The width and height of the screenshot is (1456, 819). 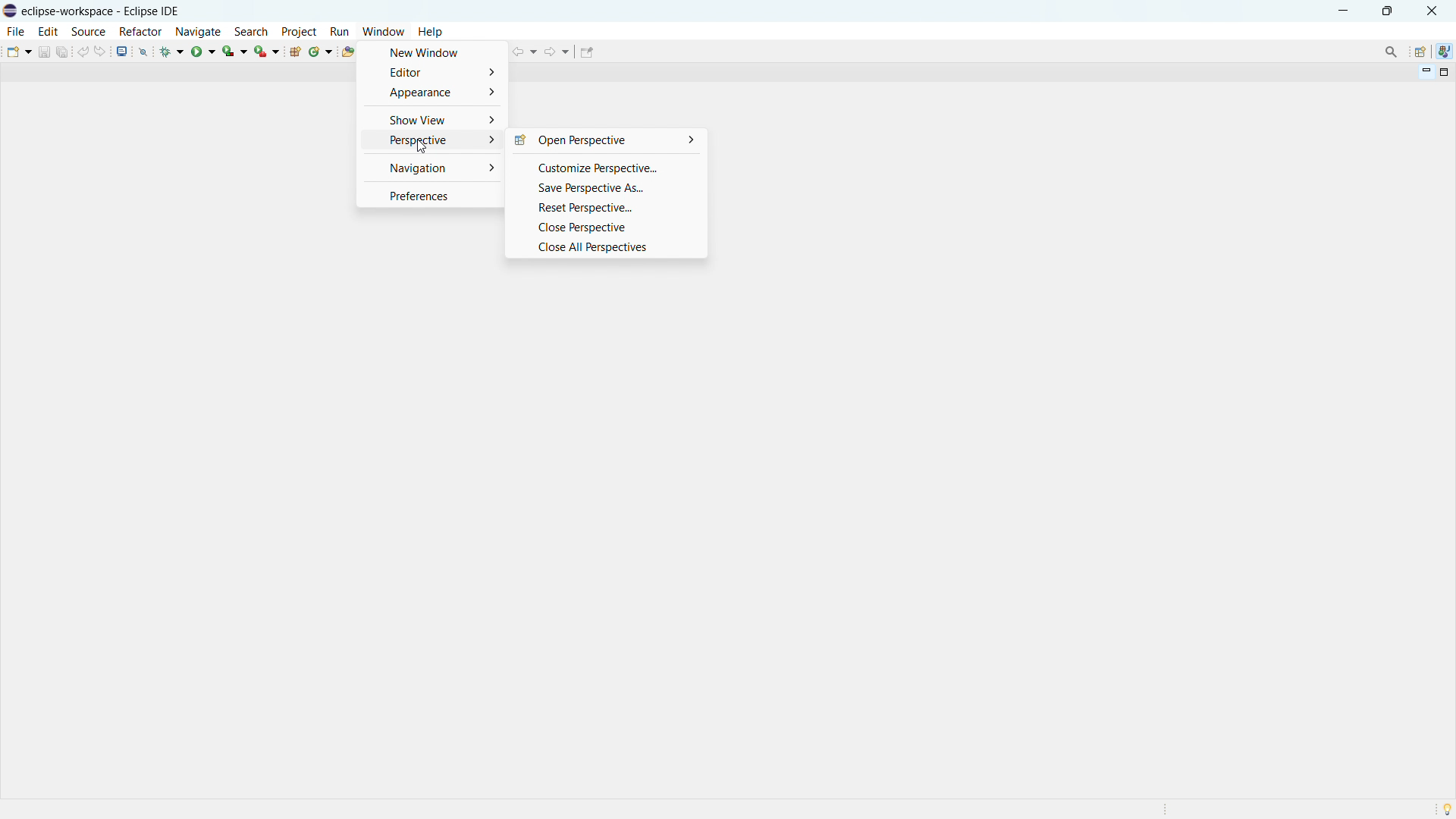 What do you see at coordinates (300, 31) in the screenshot?
I see `project` at bounding box center [300, 31].